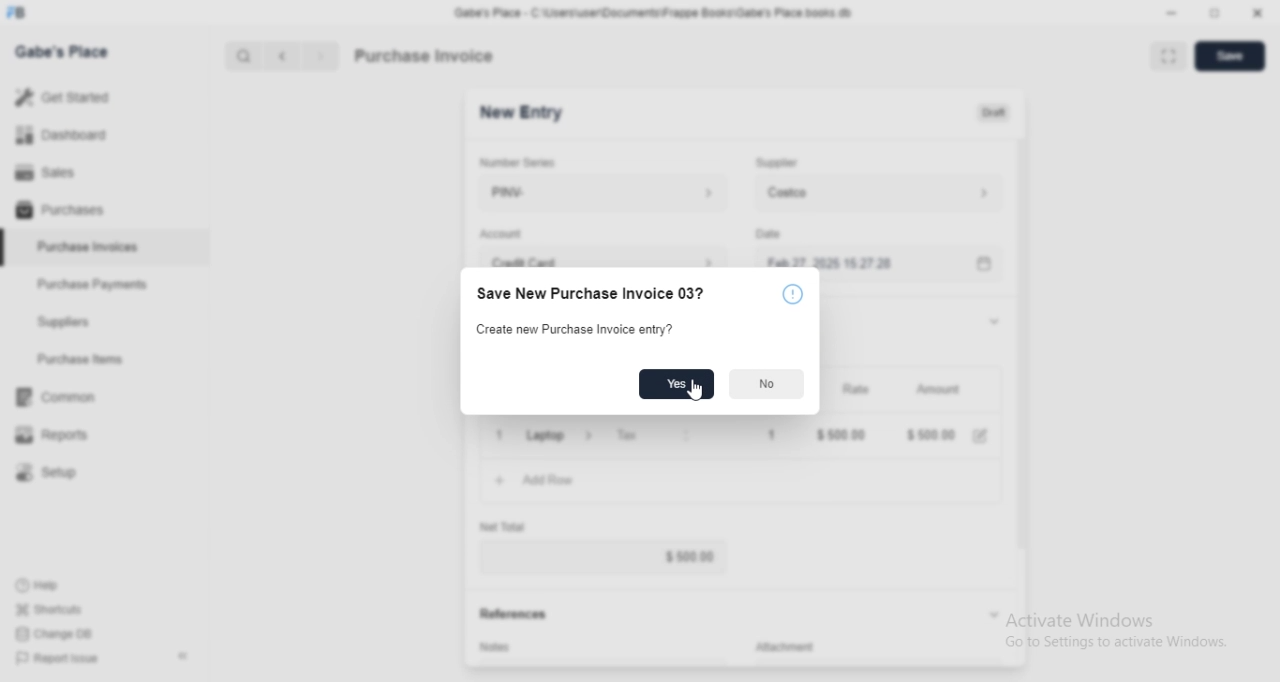  Describe the element at coordinates (590, 293) in the screenshot. I see `Save New Purchase Invoice 03?` at that location.